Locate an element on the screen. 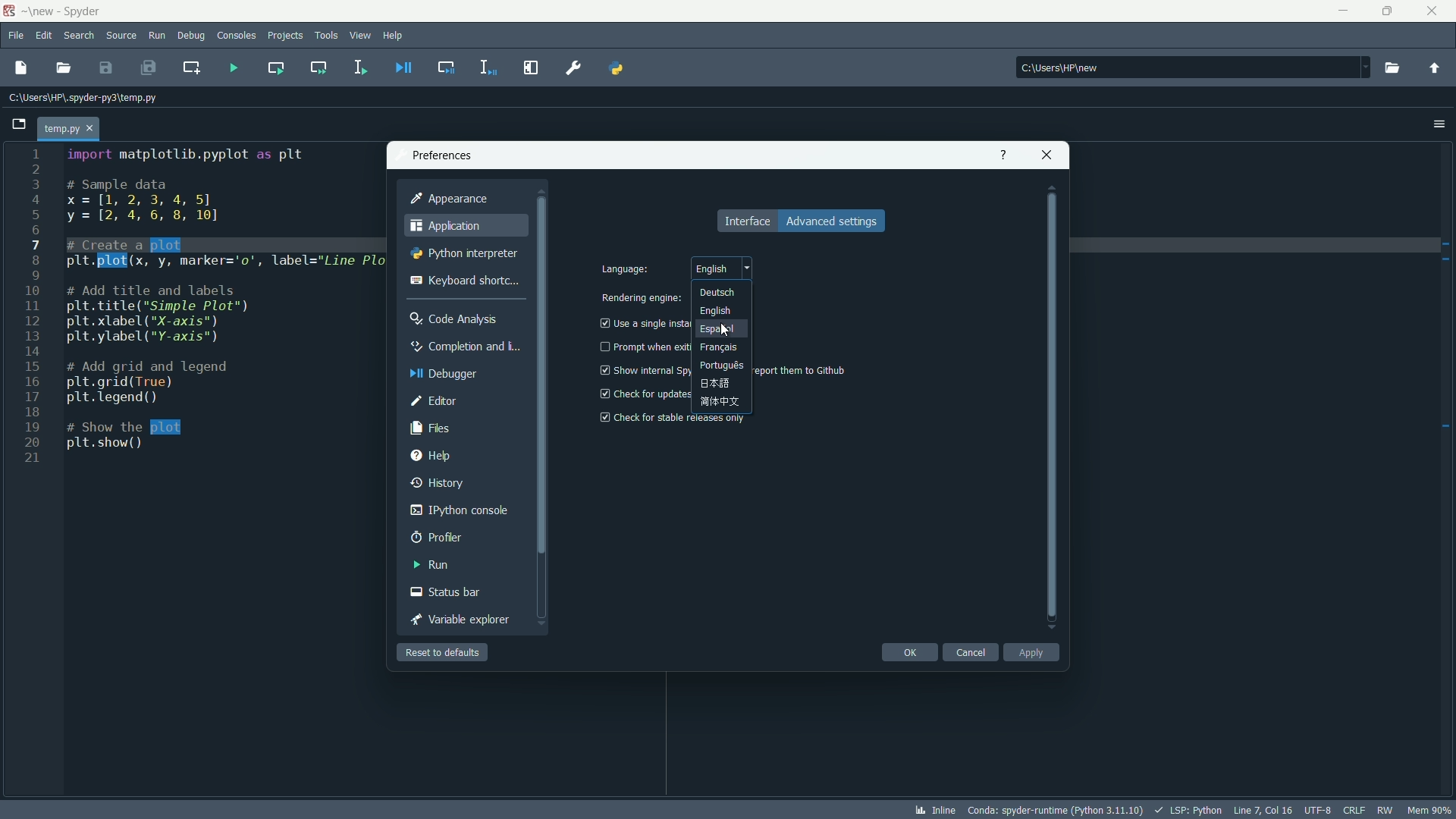 Image resolution: width=1456 pixels, height=819 pixels. keyboard shortcut is located at coordinates (463, 279).